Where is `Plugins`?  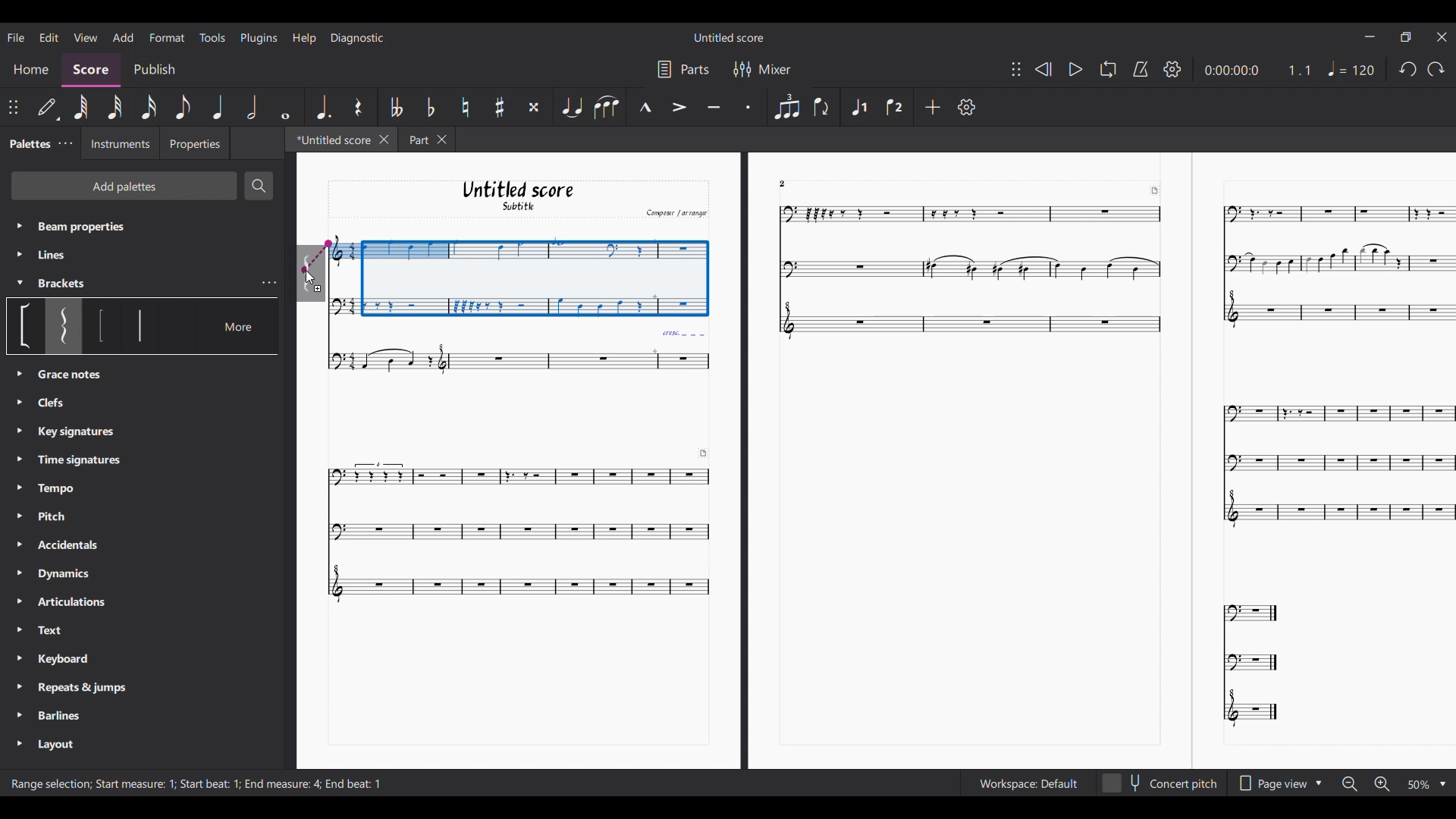
Plugins is located at coordinates (259, 38).